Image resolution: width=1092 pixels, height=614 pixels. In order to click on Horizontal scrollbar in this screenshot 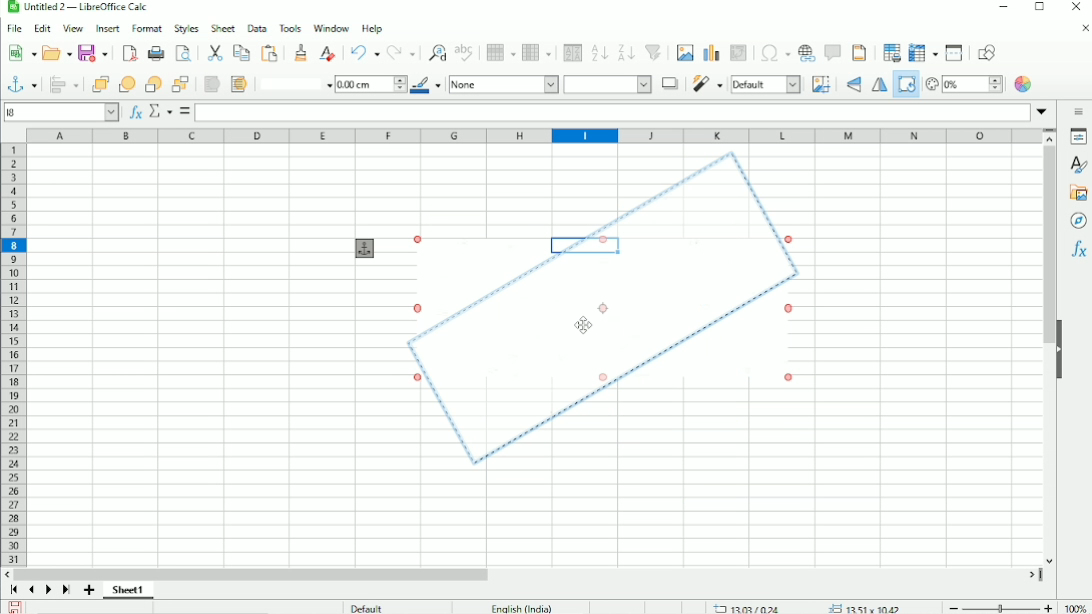, I will do `click(251, 574)`.